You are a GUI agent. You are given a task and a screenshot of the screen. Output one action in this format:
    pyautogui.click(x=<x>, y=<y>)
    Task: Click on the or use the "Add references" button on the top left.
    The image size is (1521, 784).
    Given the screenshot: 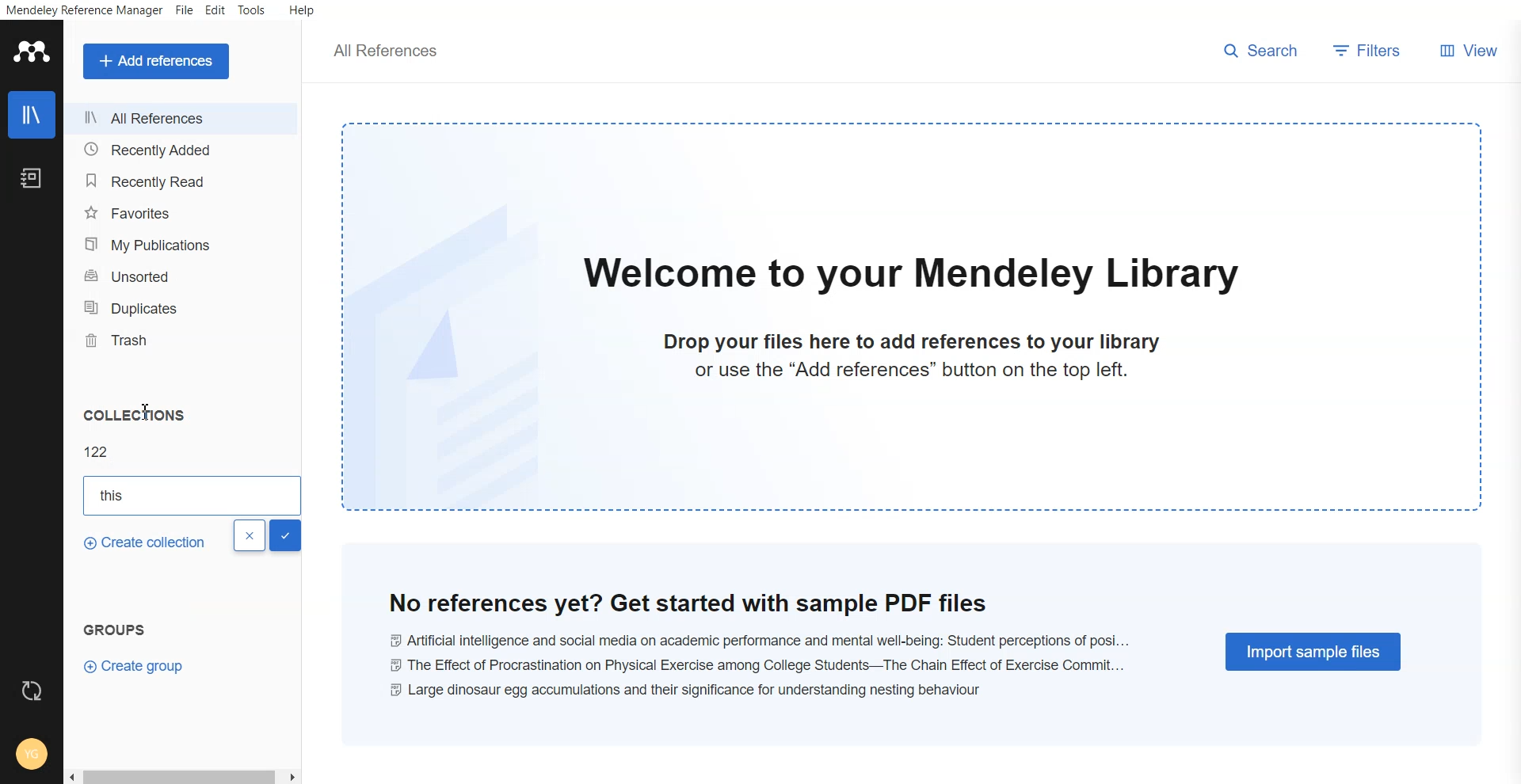 What is the action you would take?
    pyautogui.click(x=915, y=371)
    